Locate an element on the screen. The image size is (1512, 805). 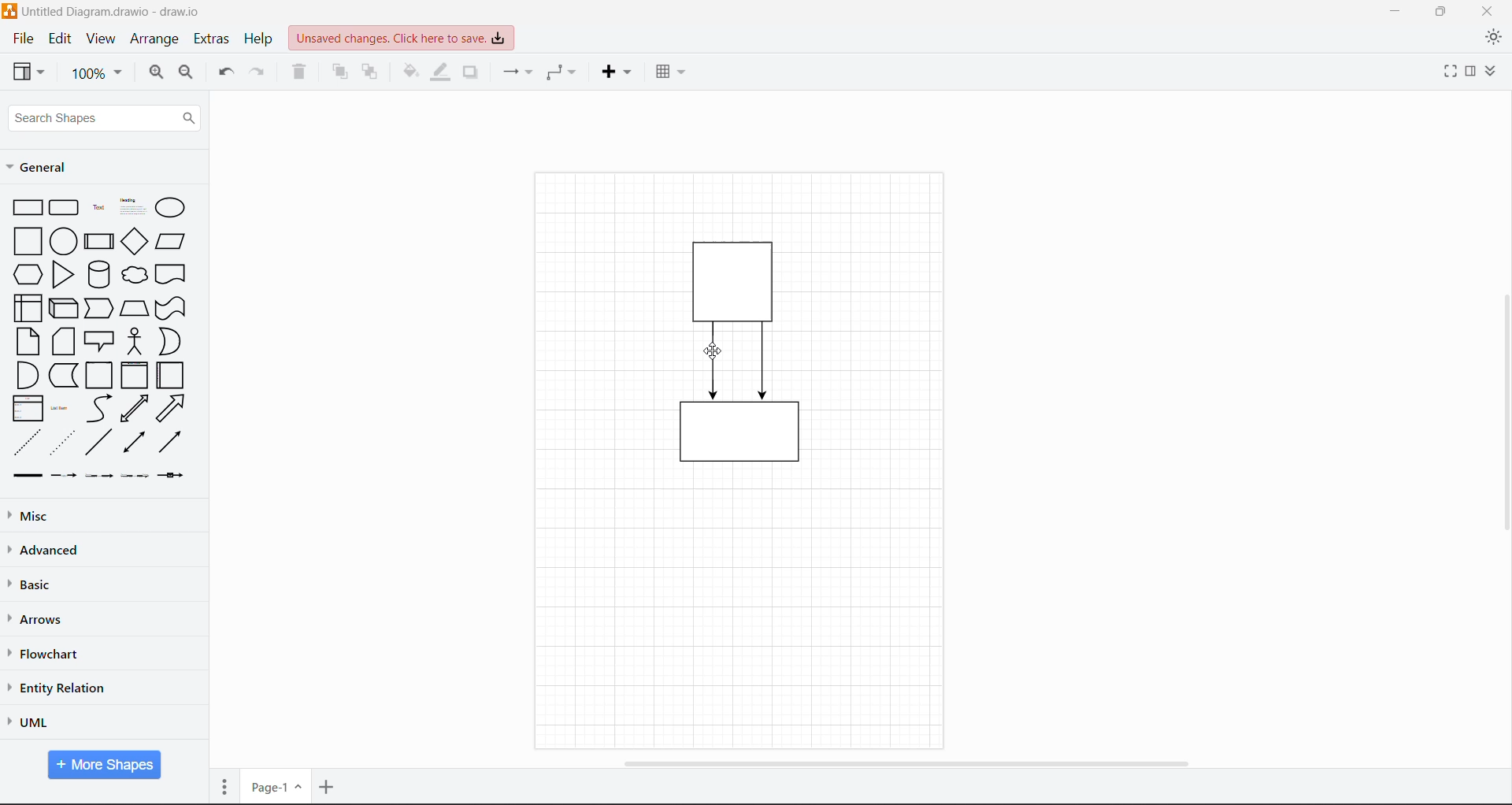
Circle is located at coordinates (63, 240).